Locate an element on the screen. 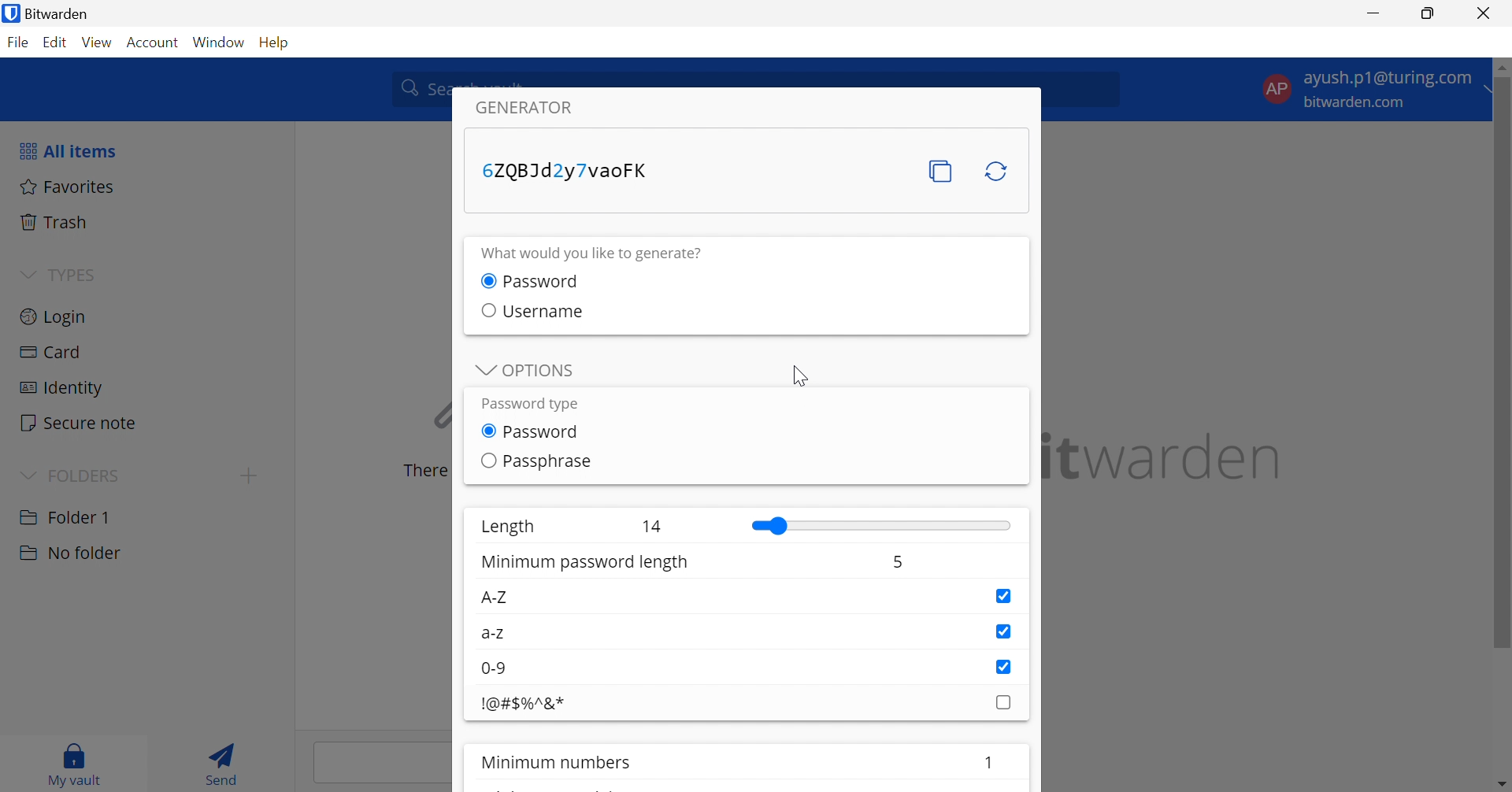 This screenshot has width=1512, height=792. Folder is located at coordinates (67, 516).